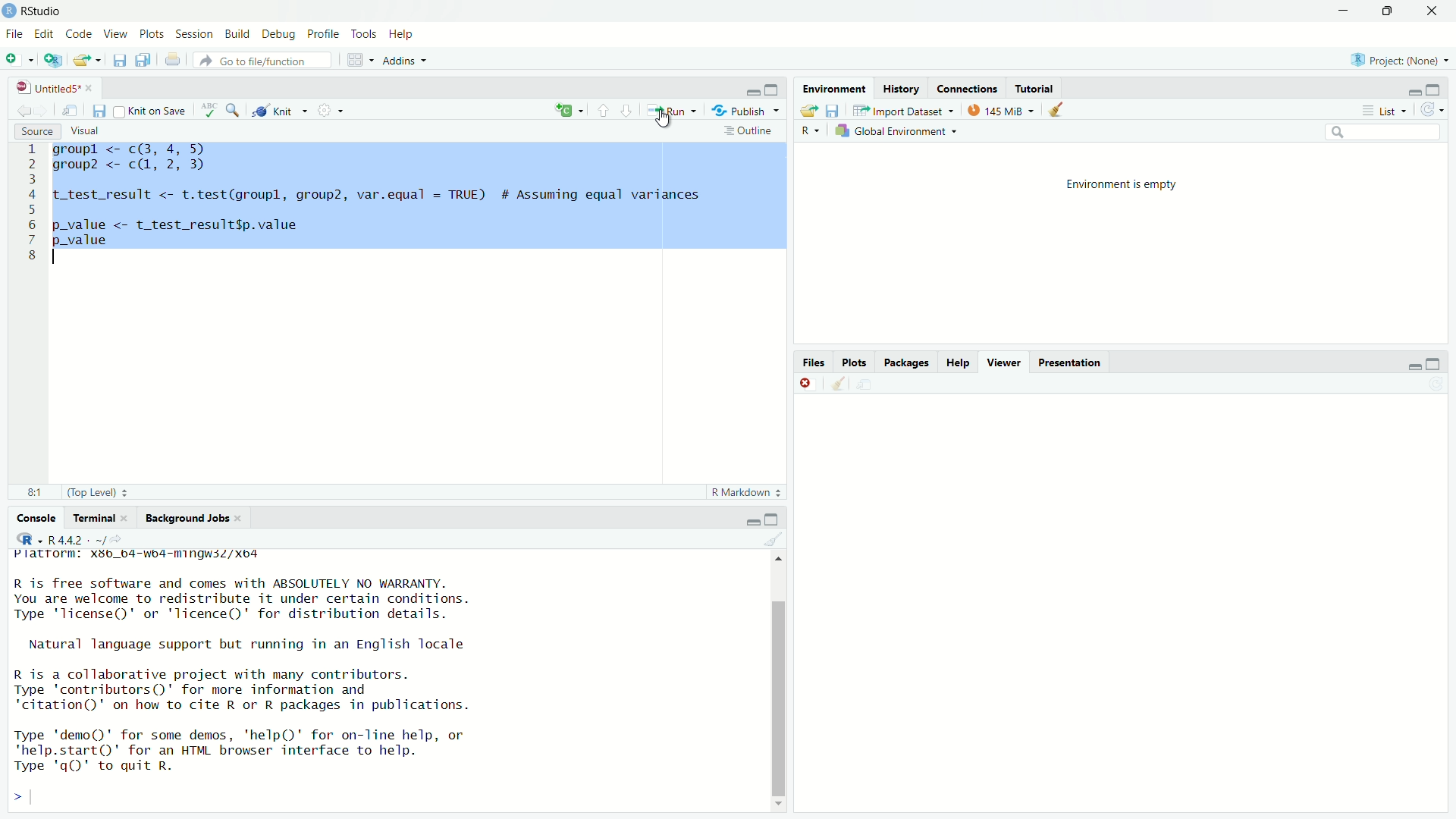  I want to click on Rstudio, so click(44, 9).